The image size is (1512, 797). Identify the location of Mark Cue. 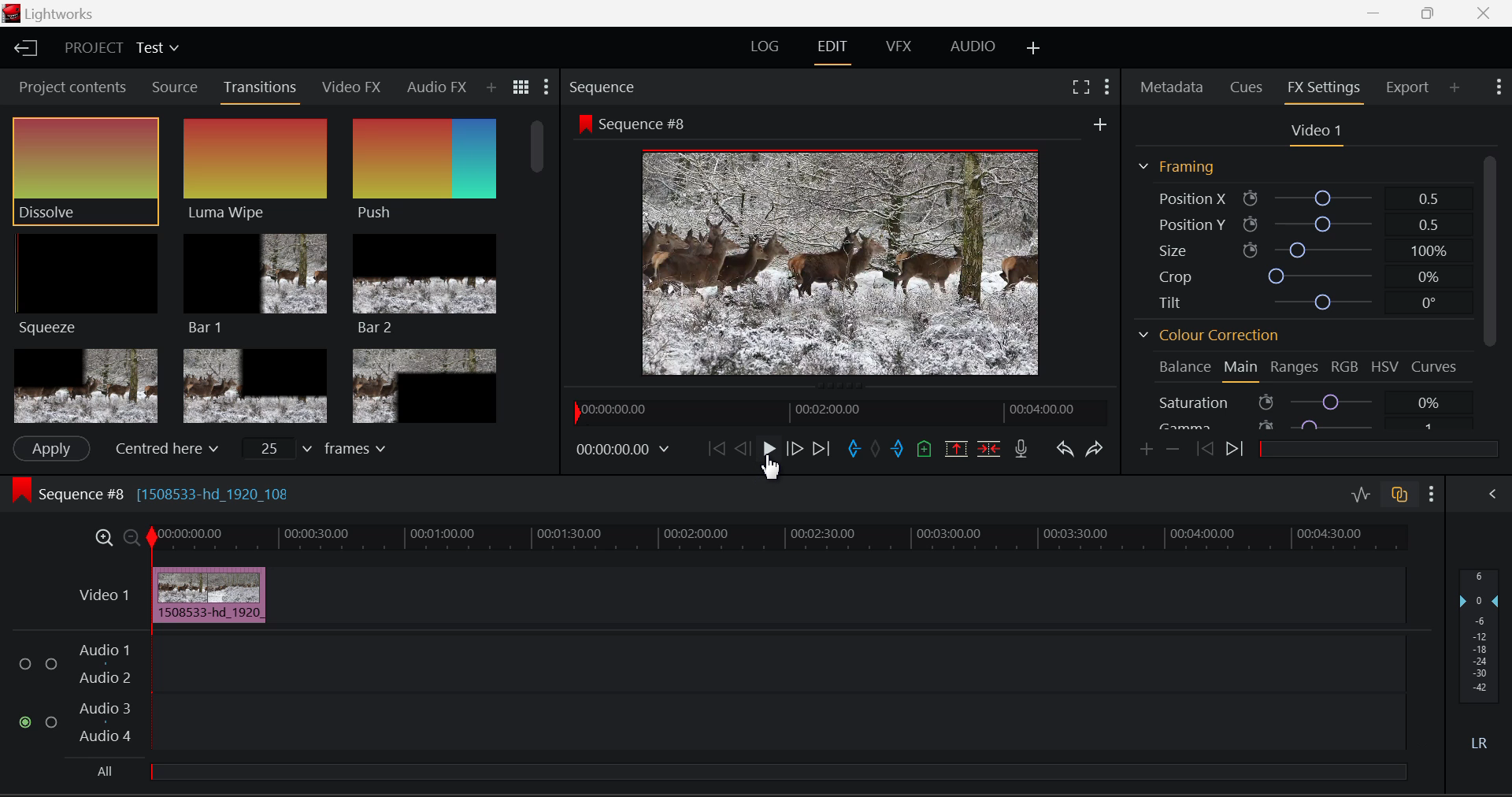
(923, 450).